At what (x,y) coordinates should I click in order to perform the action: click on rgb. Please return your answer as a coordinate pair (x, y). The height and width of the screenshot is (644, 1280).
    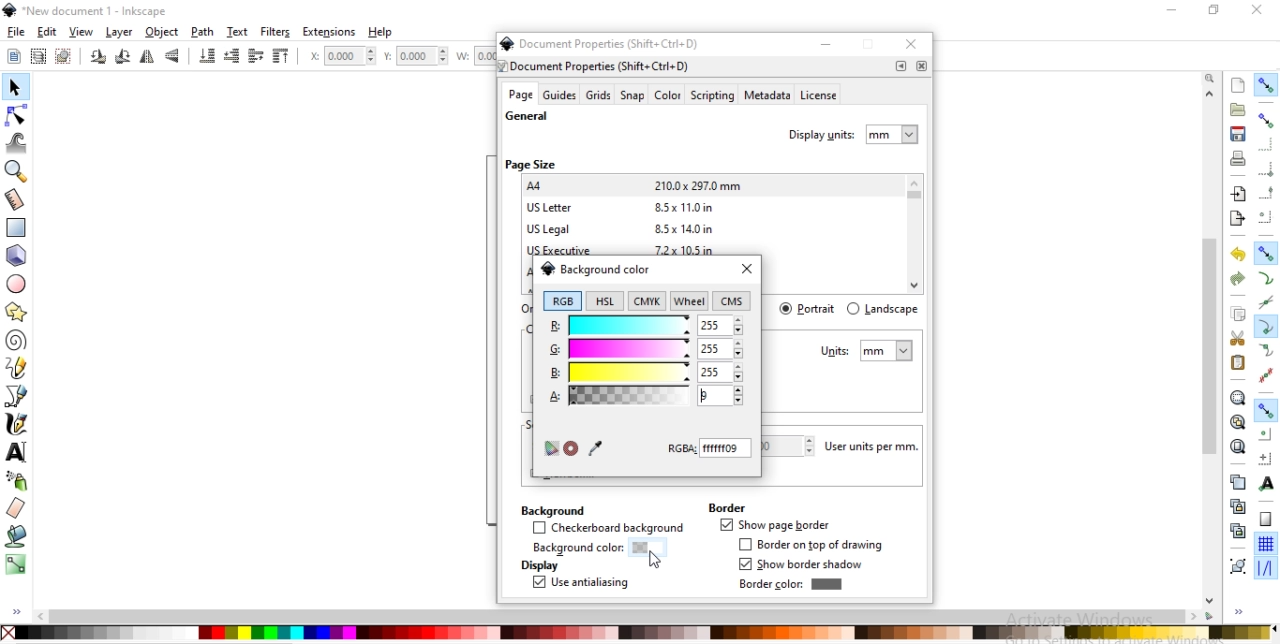
    Looking at the image, I should click on (562, 301).